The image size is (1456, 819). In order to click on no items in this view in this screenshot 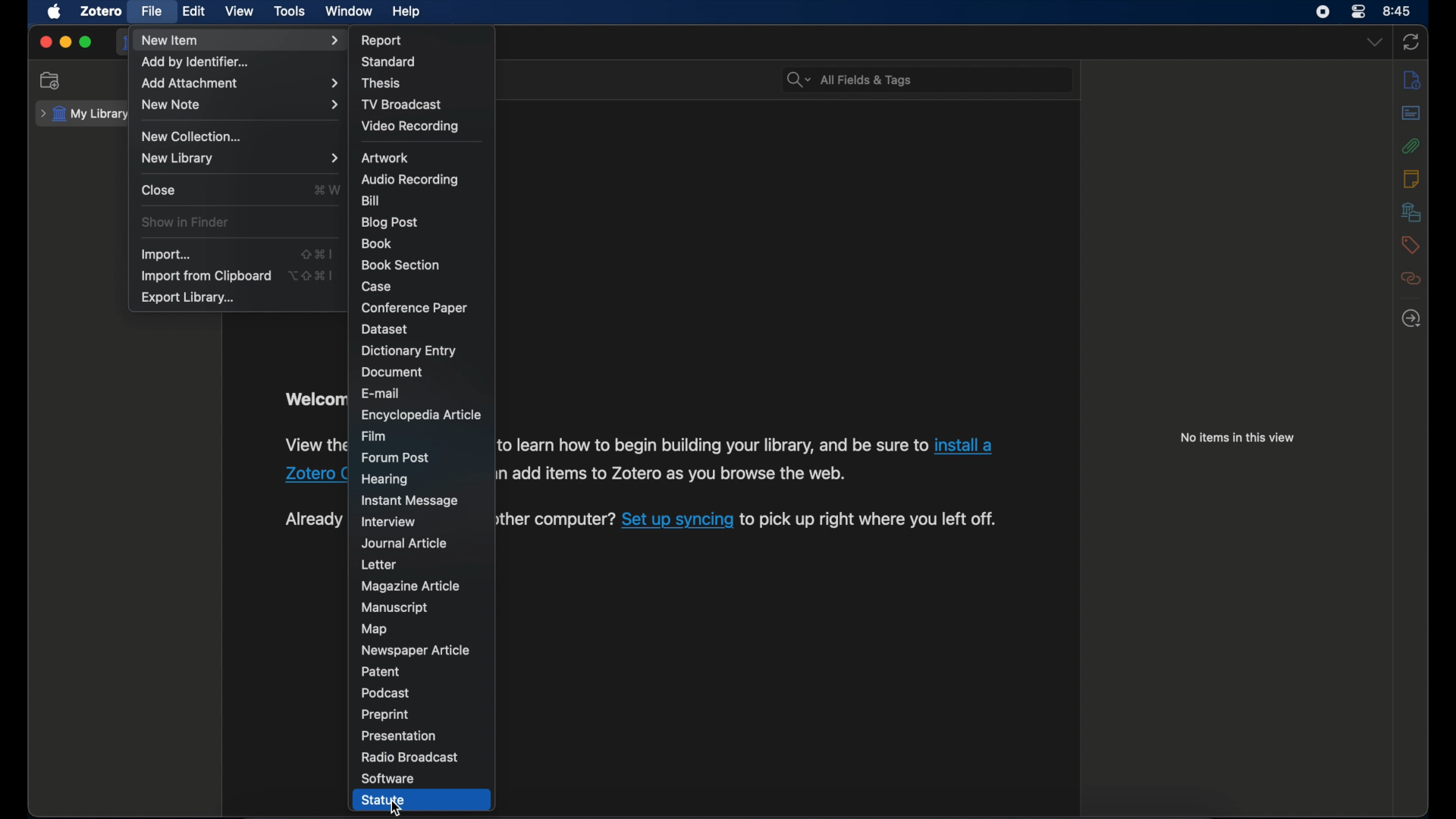, I will do `click(1238, 437)`.